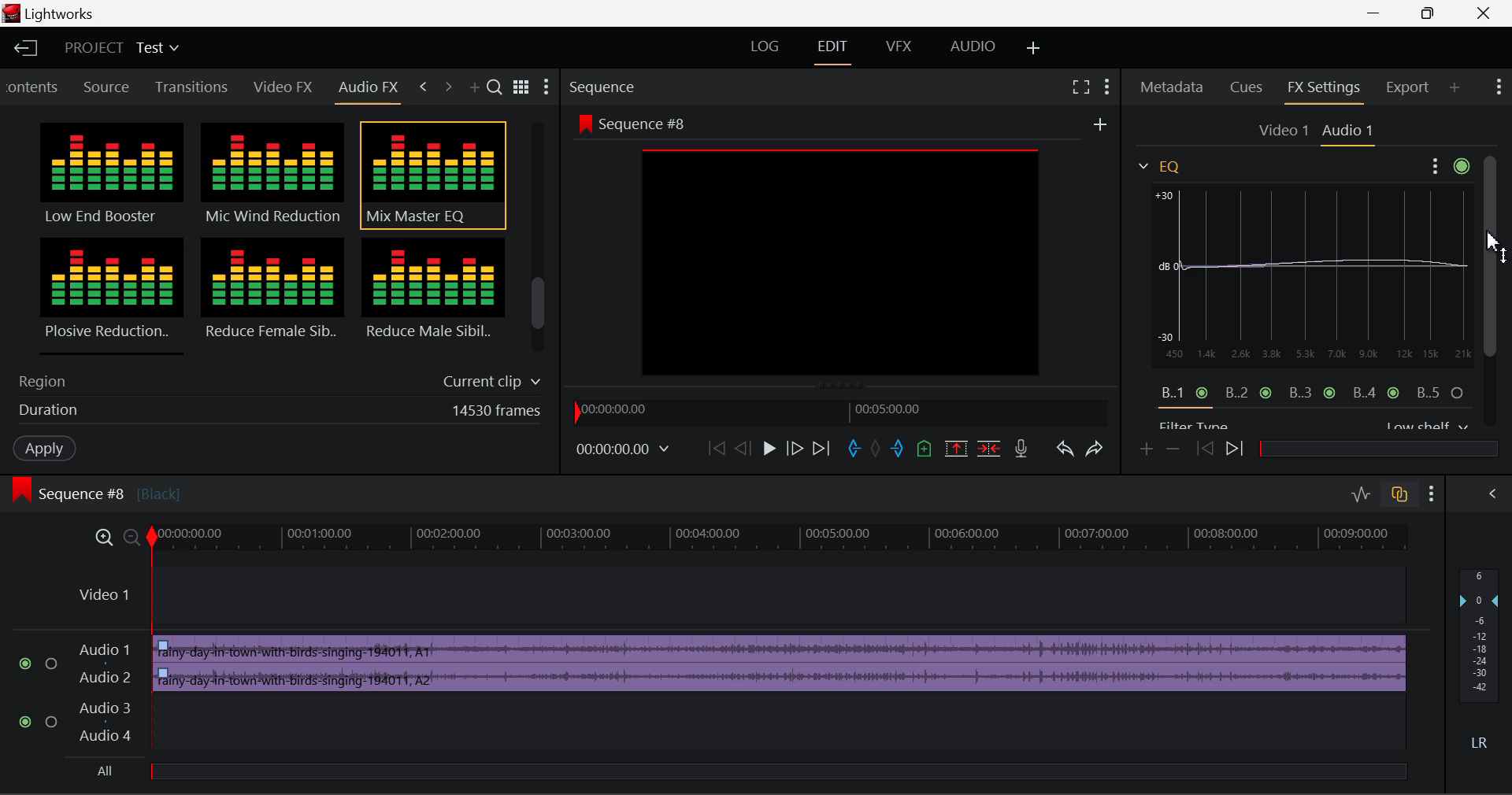 The image size is (1512, 795). Describe the element at coordinates (1177, 449) in the screenshot. I see `remove keyframe` at that location.